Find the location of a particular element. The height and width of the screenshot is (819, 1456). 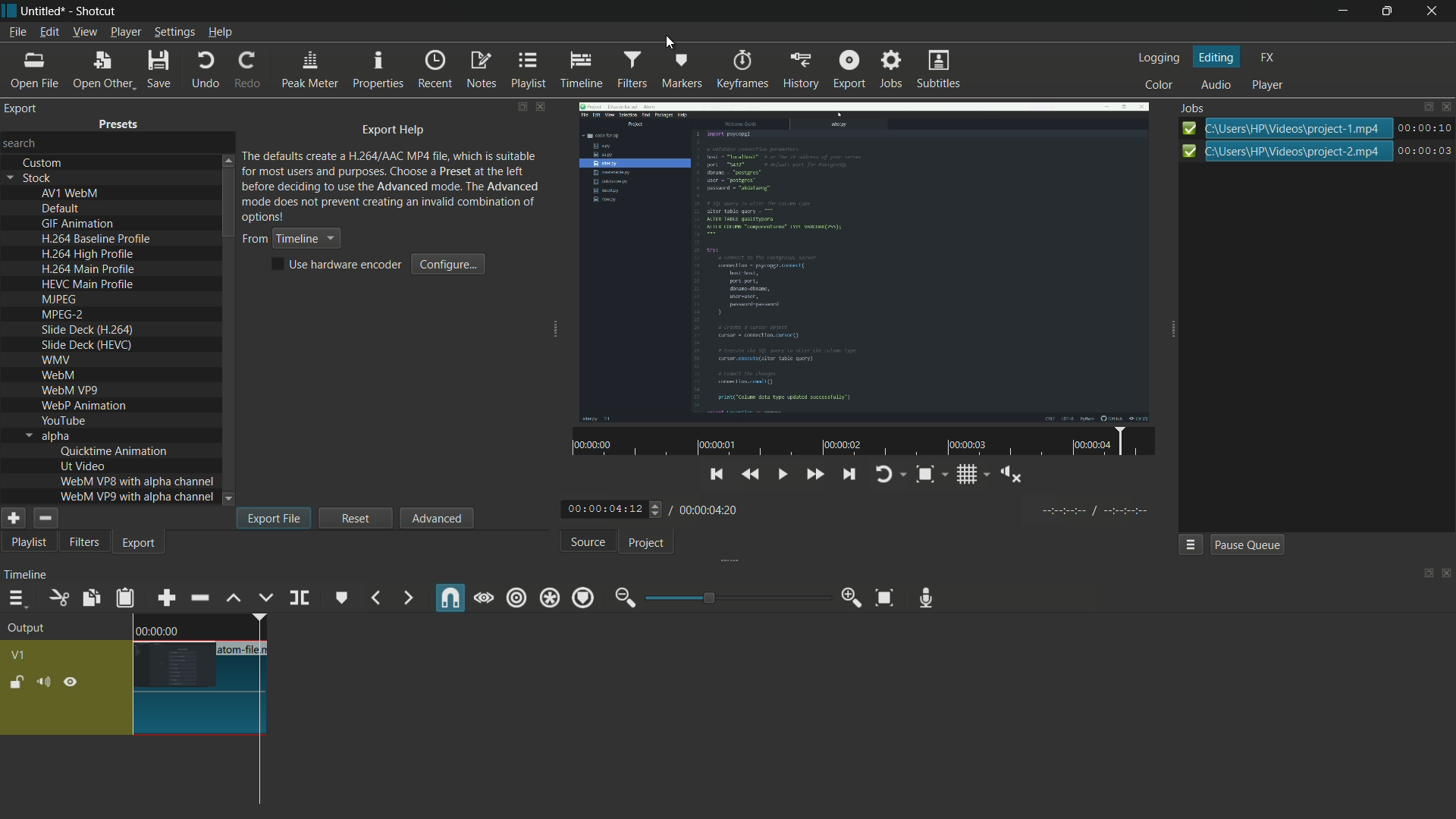

app name is located at coordinates (94, 11).